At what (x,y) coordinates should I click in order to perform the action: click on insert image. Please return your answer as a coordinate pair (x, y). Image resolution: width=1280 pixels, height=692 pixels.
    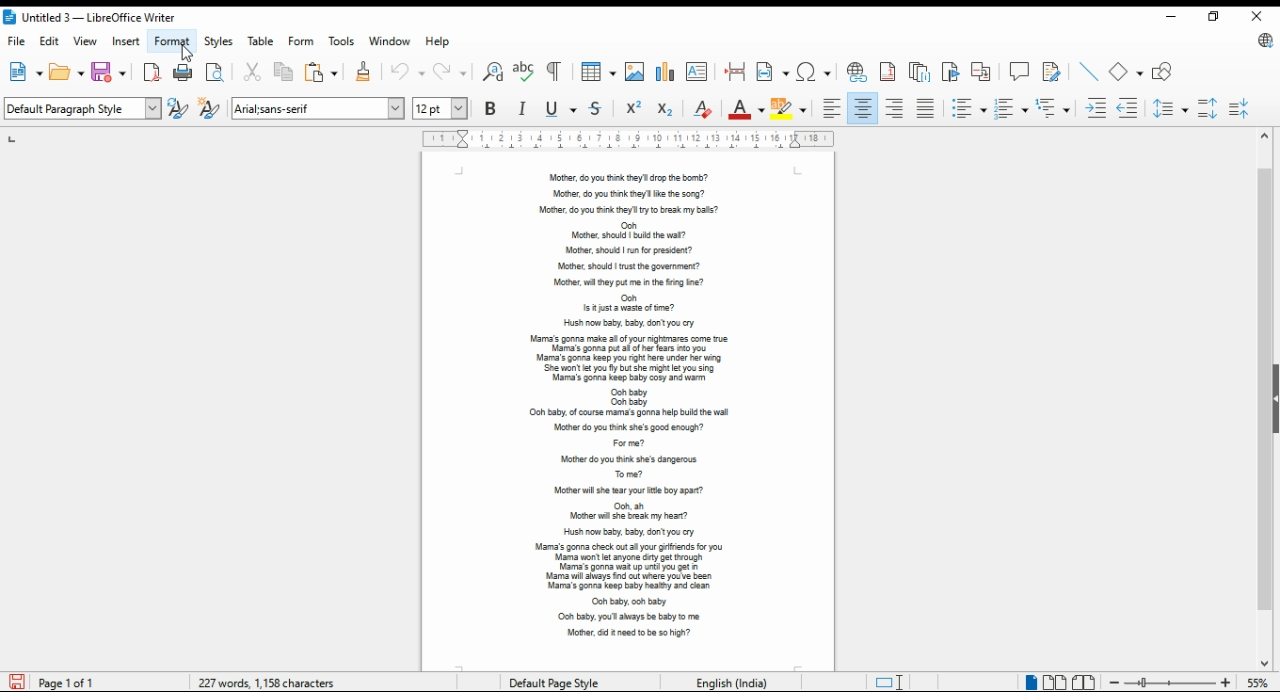
    Looking at the image, I should click on (636, 71).